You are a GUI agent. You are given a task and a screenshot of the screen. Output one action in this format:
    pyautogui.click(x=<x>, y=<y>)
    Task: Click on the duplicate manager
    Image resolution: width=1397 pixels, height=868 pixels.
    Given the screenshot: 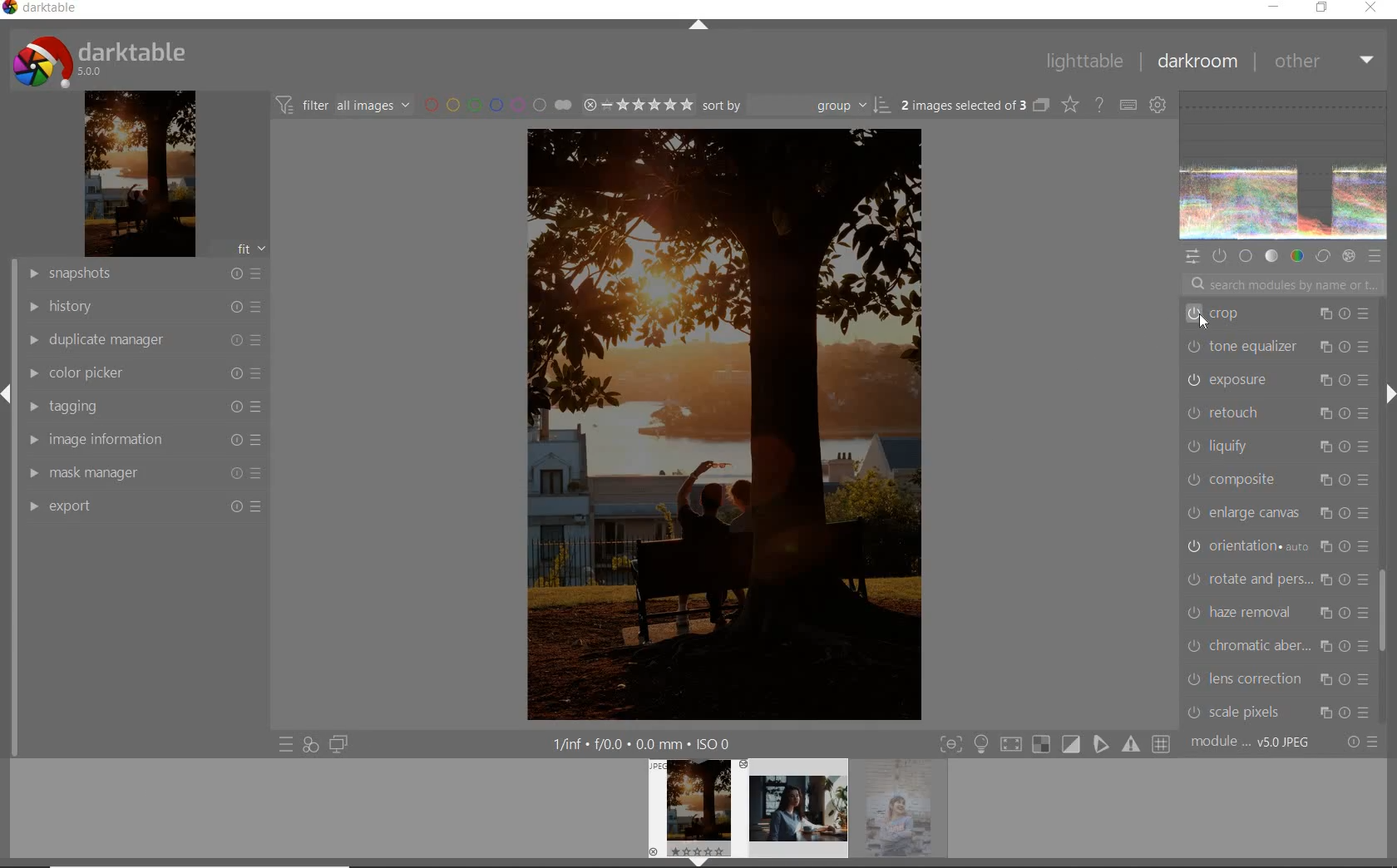 What is the action you would take?
    pyautogui.click(x=144, y=339)
    